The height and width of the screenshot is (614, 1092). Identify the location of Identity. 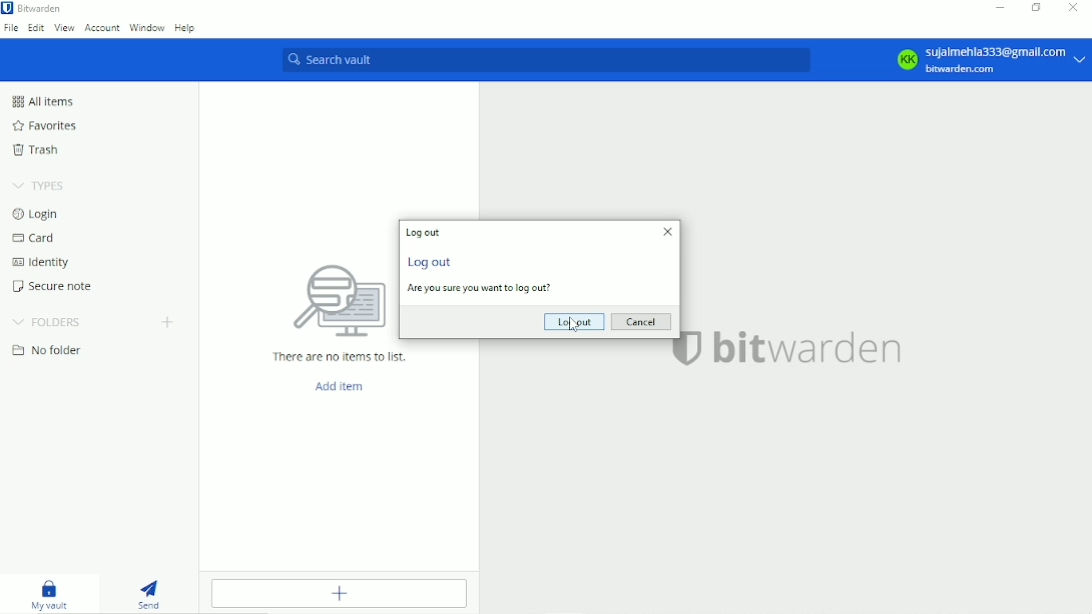
(46, 263).